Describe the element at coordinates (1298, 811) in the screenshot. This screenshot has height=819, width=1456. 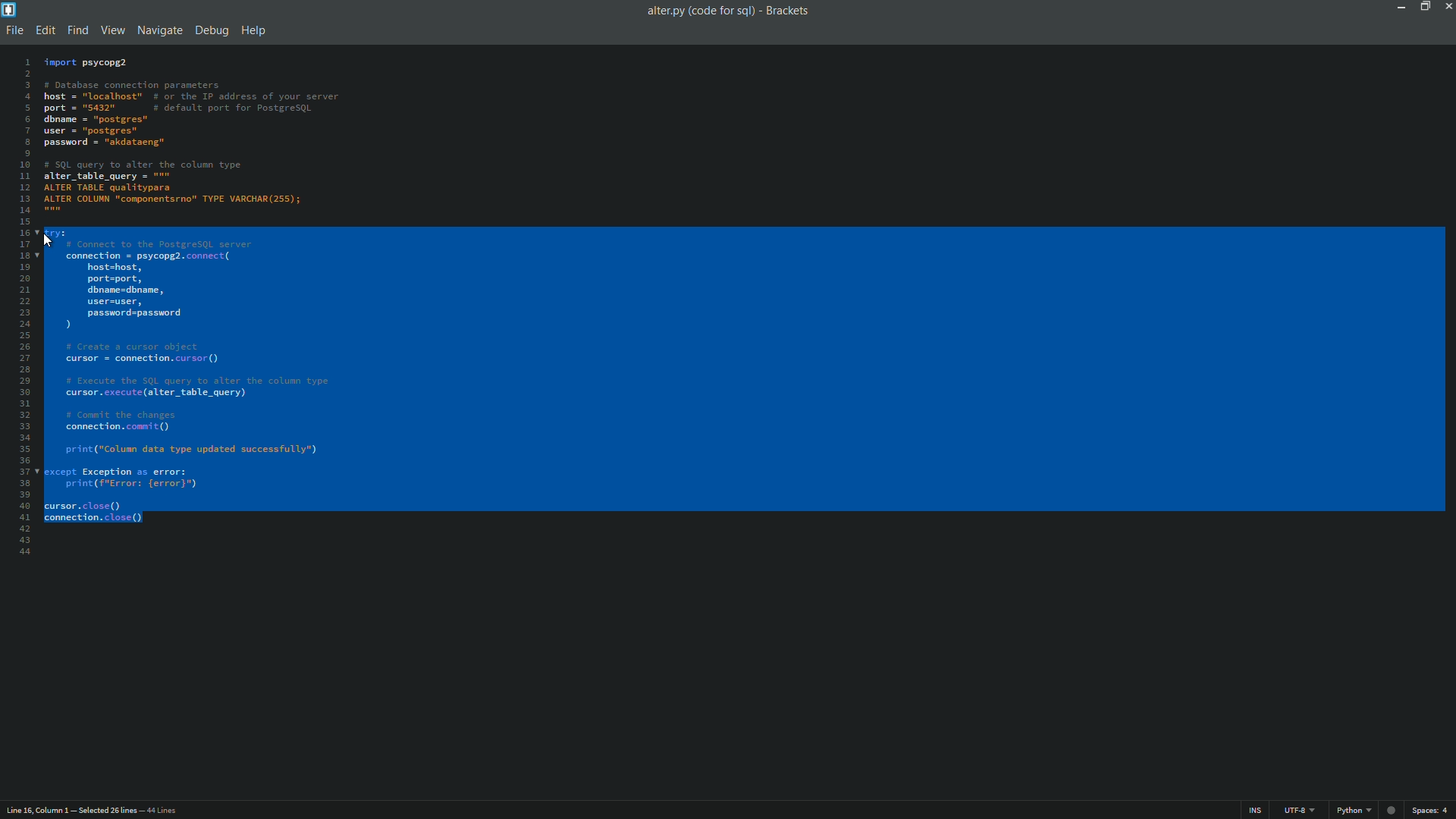
I see `file encoding` at that location.